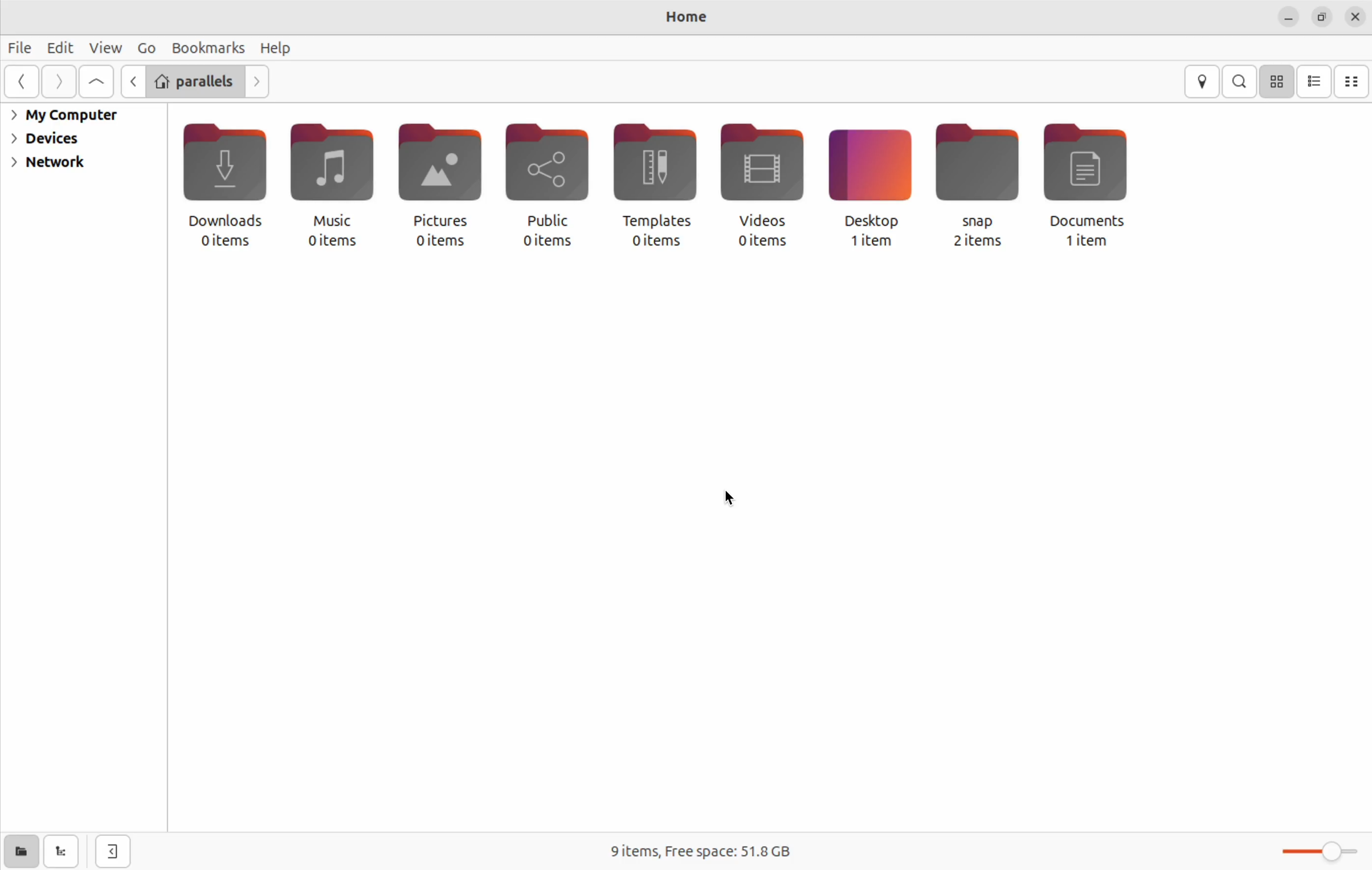  Describe the element at coordinates (56, 82) in the screenshot. I see `Go forward` at that location.